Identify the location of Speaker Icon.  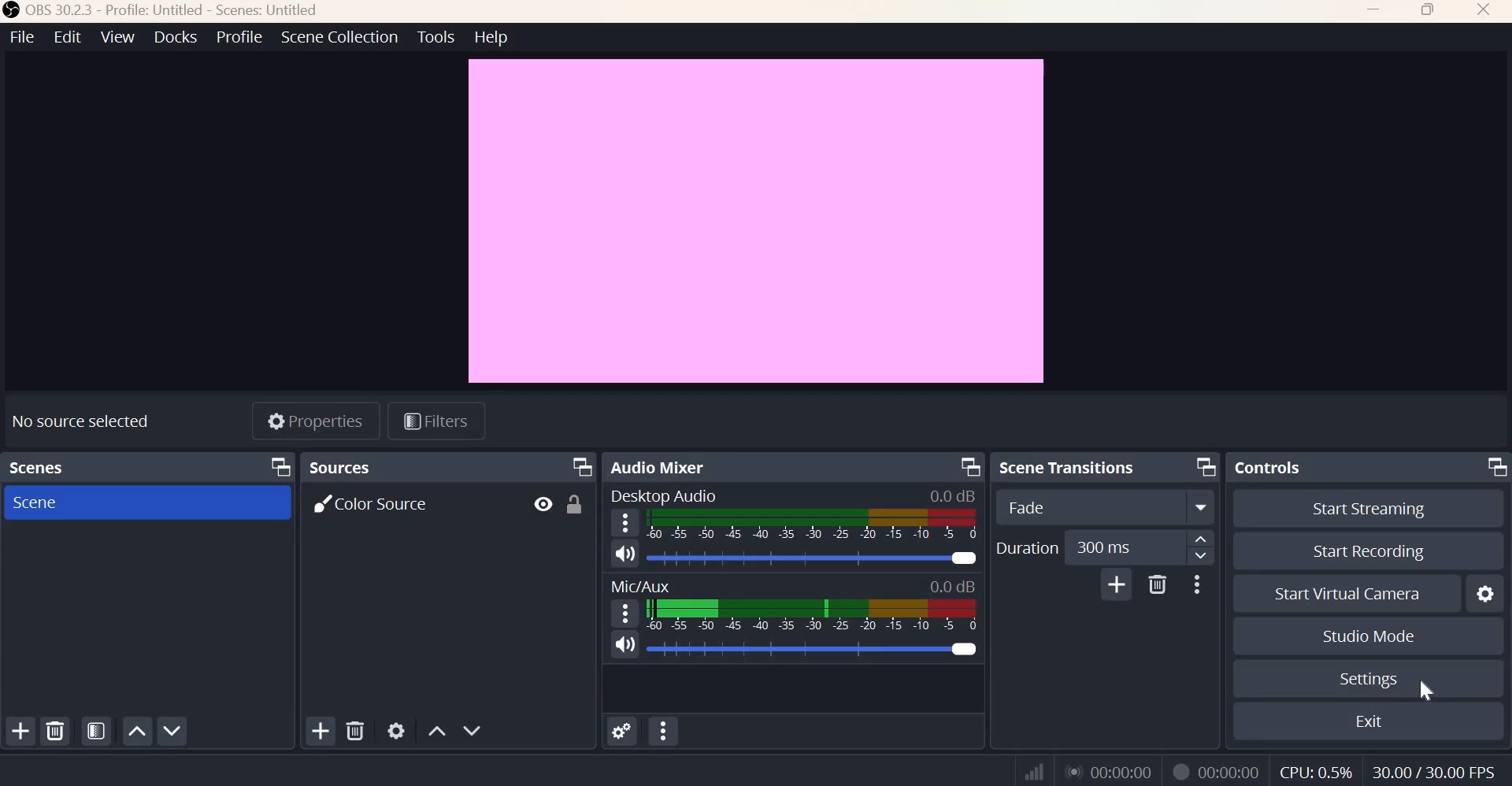
(624, 645).